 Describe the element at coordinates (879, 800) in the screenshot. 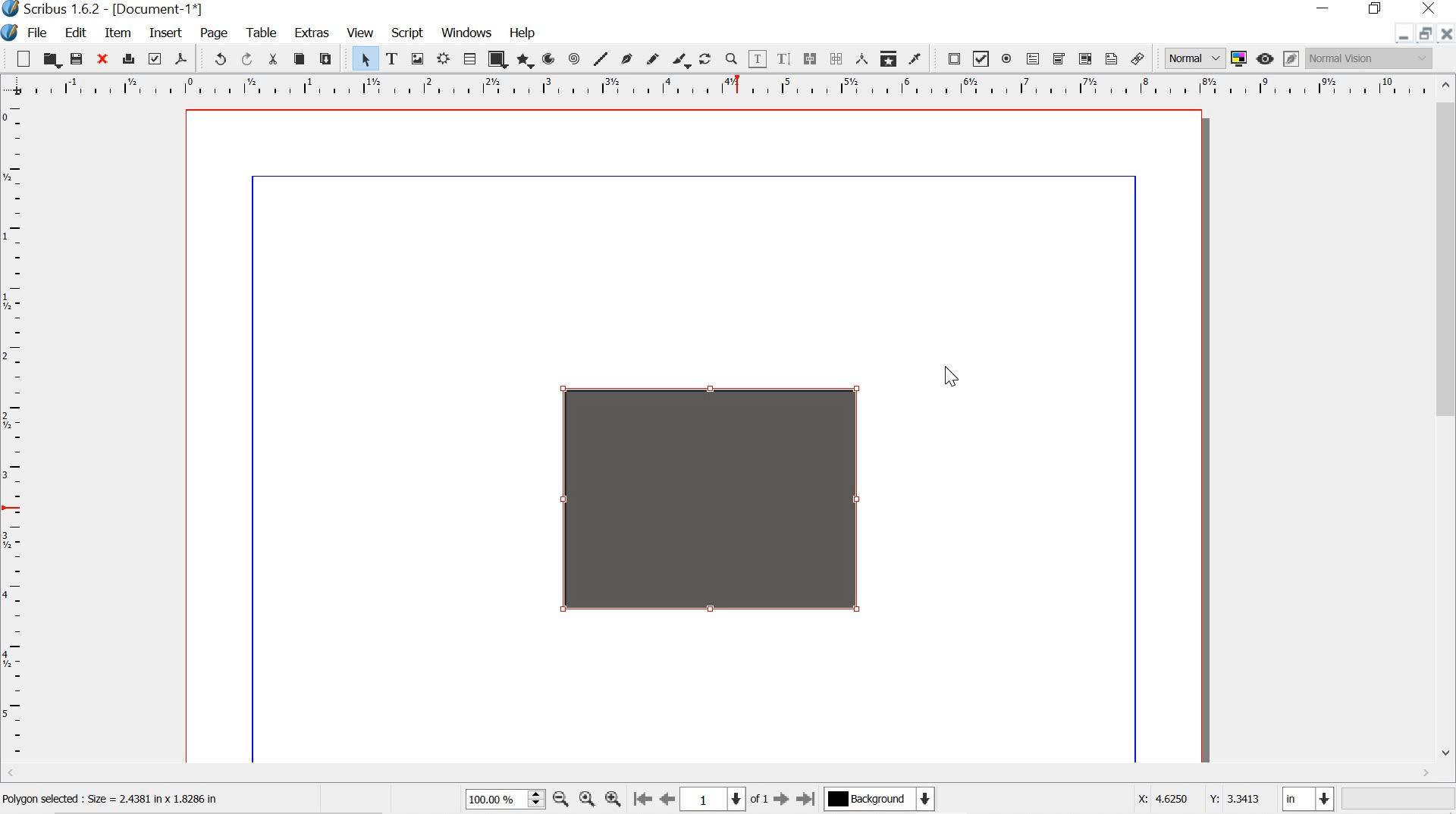

I see `Background` at that location.